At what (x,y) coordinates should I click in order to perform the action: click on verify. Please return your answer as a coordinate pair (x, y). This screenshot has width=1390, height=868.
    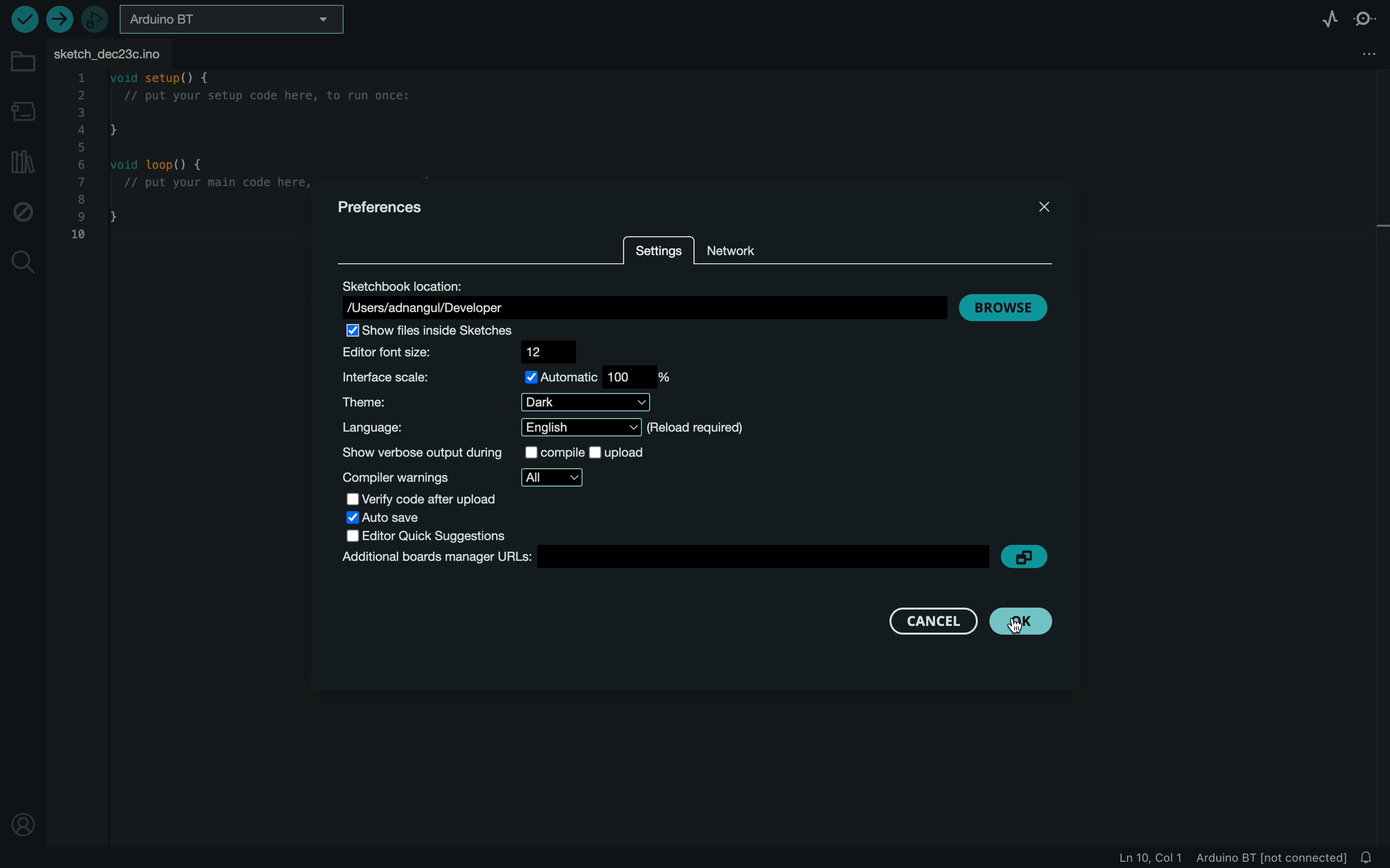
    Looking at the image, I should click on (22, 19).